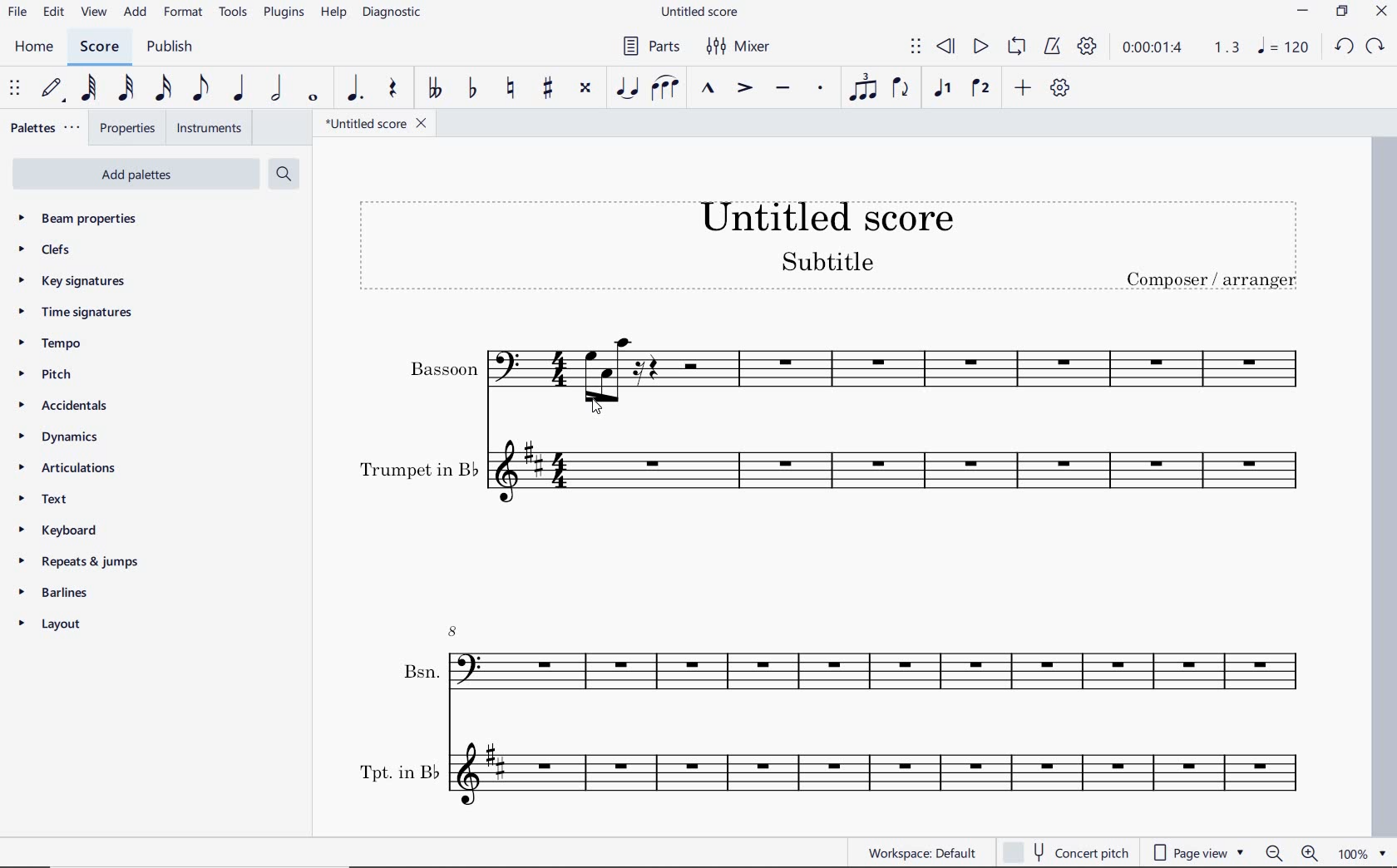 This screenshot has width=1397, height=868. Describe the element at coordinates (981, 89) in the screenshot. I see `voice 2` at that location.